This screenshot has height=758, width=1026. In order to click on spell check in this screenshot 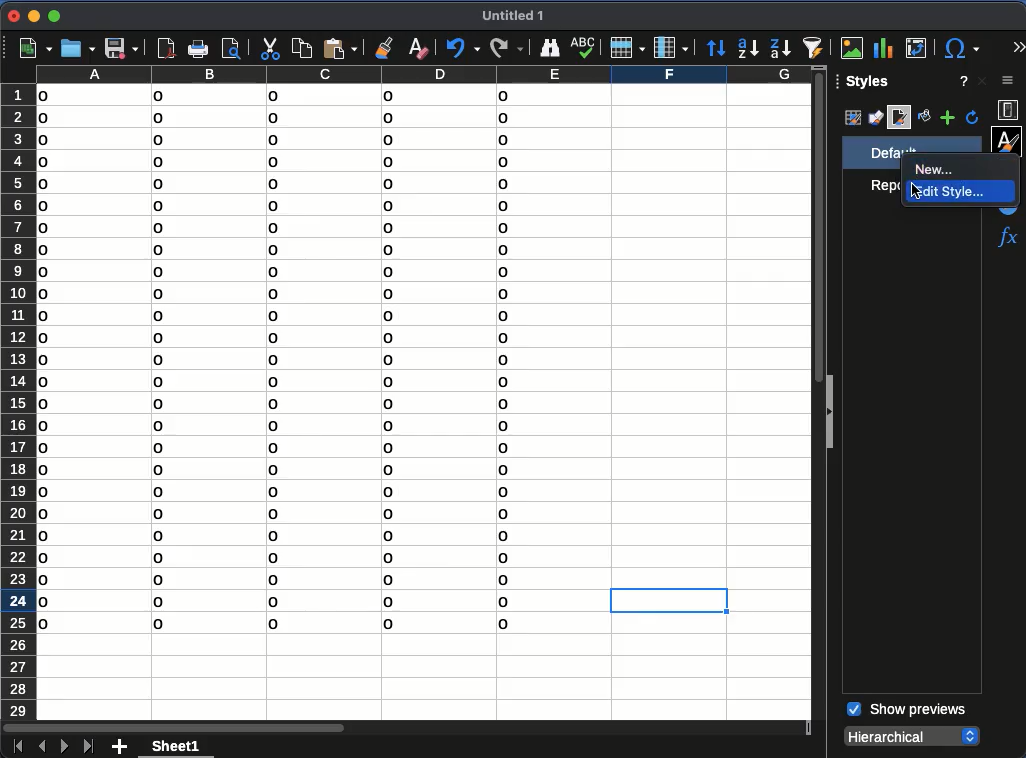, I will do `click(583, 48)`.